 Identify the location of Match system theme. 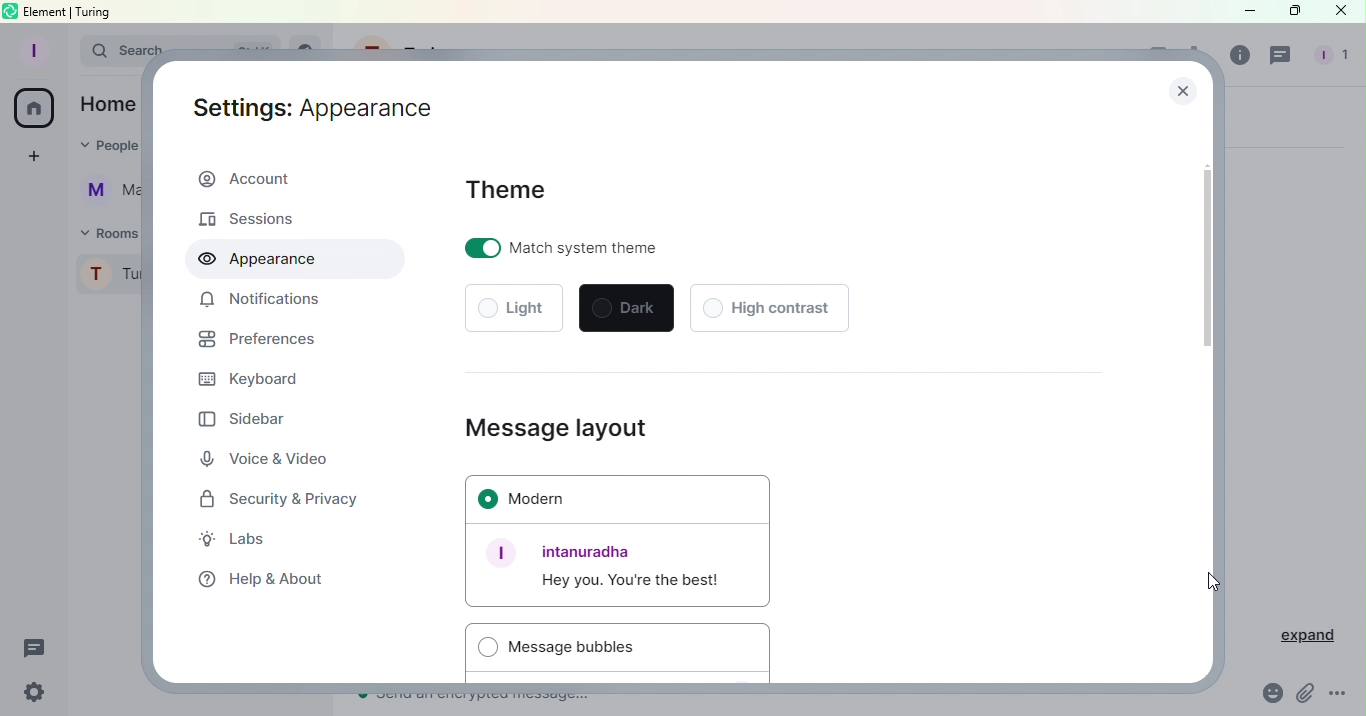
(606, 249).